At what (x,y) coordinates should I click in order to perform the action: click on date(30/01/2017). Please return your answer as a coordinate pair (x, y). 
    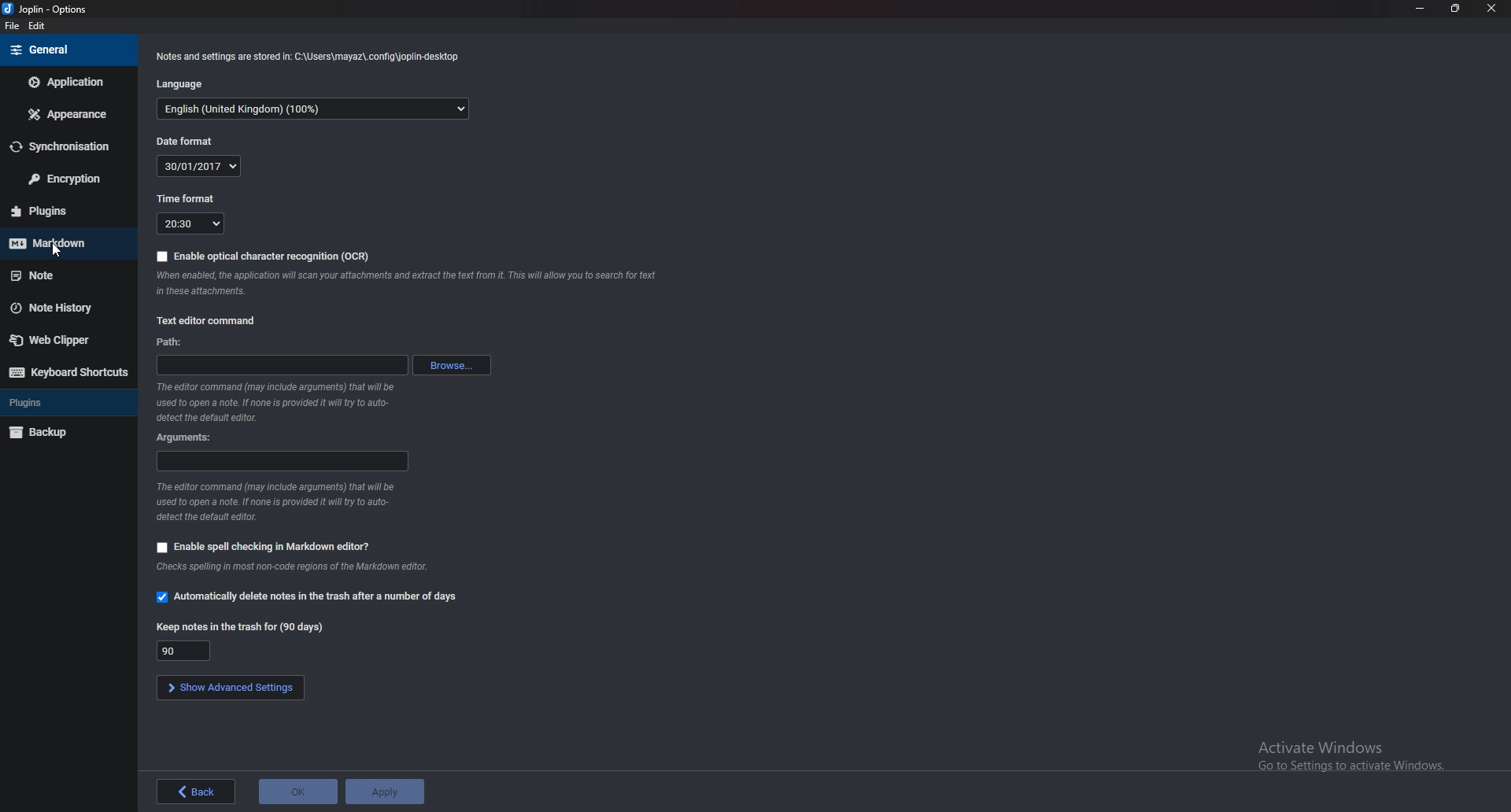
    Looking at the image, I should click on (202, 166).